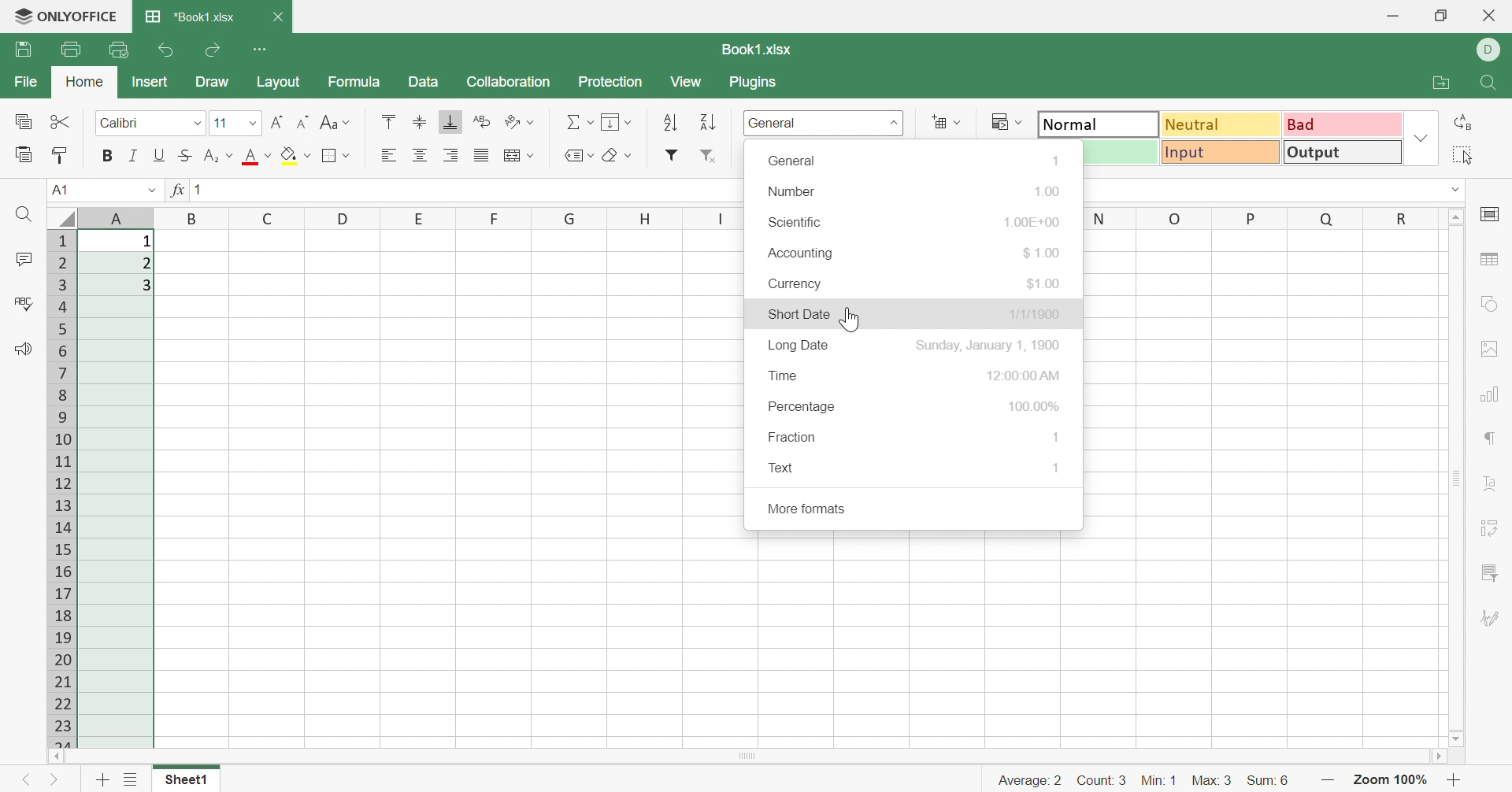 This screenshot has height=792, width=1512. I want to click on , so click(1442, 17).